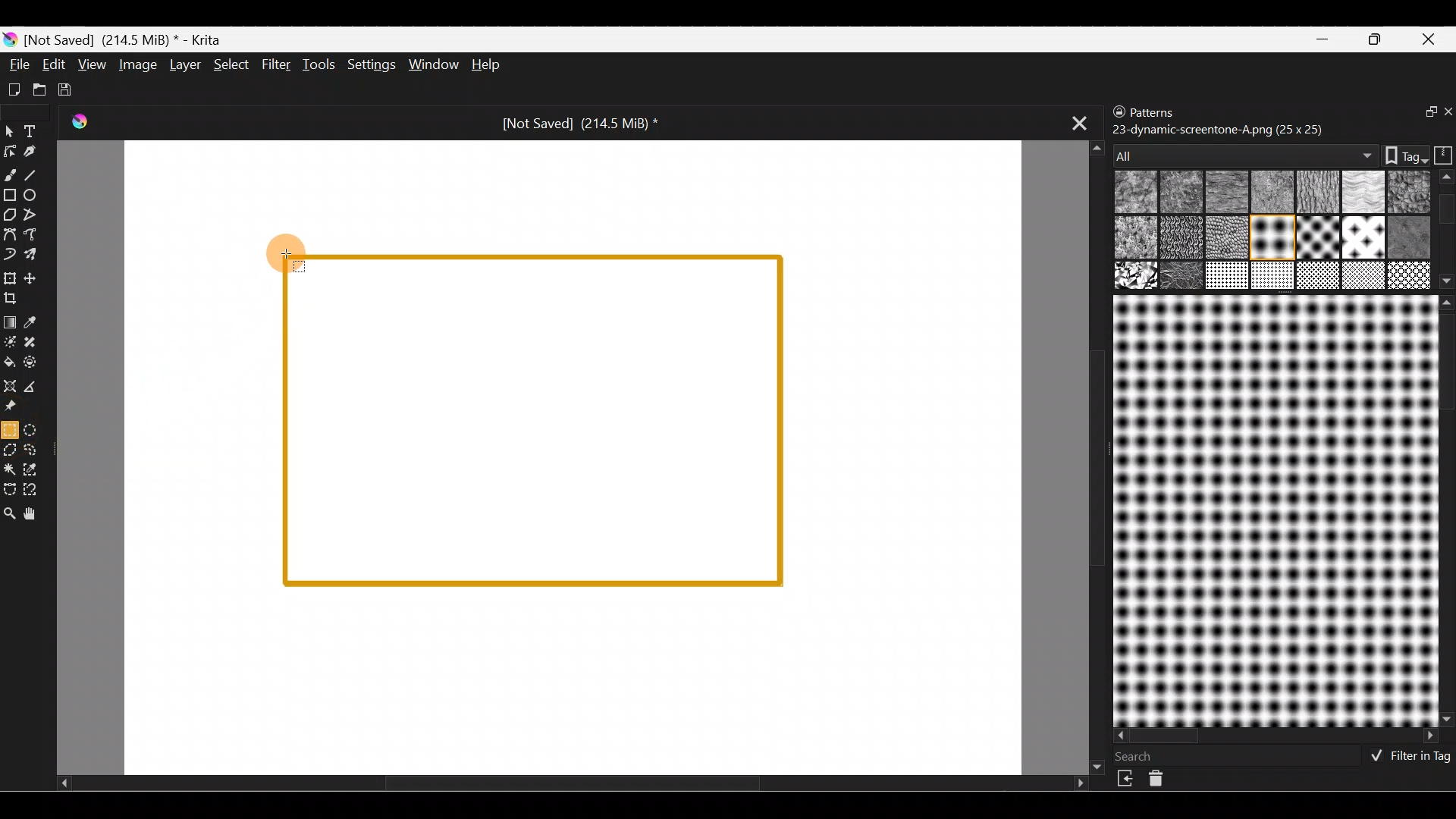 Image resolution: width=1456 pixels, height=819 pixels. What do you see at coordinates (431, 64) in the screenshot?
I see `Window` at bounding box center [431, 64].